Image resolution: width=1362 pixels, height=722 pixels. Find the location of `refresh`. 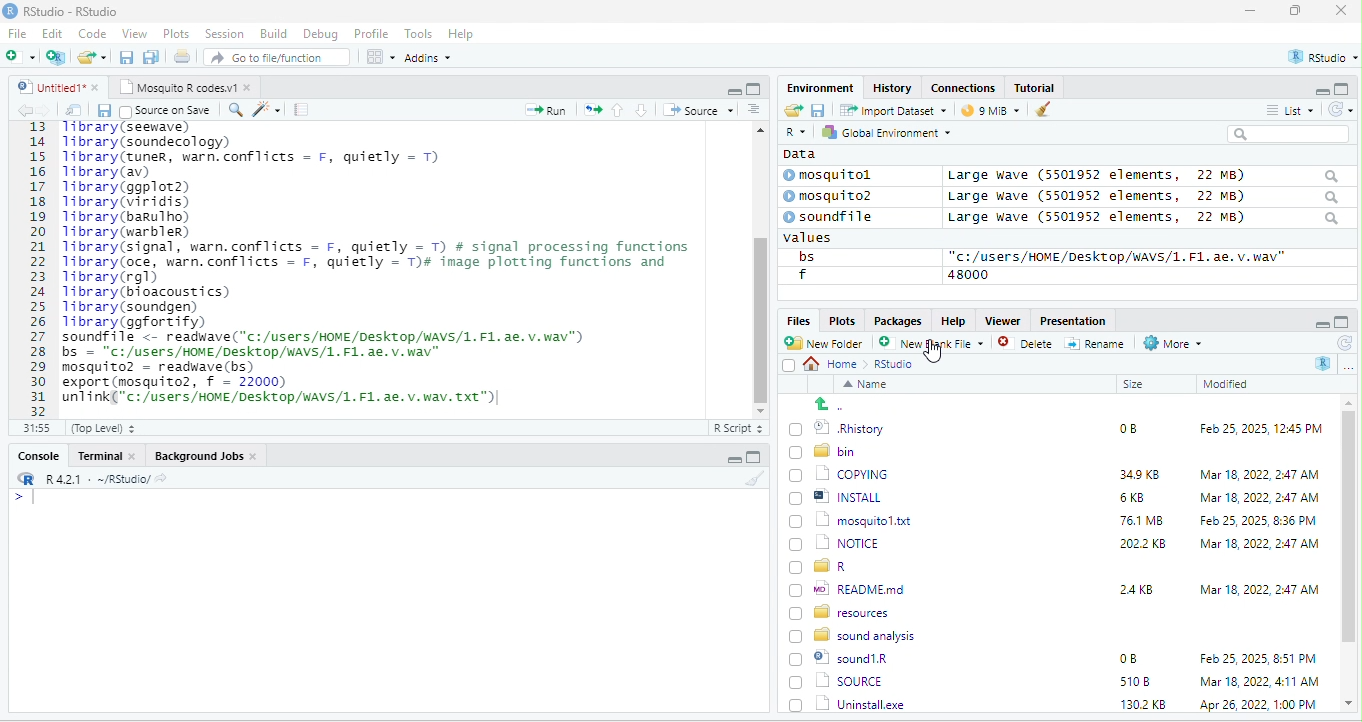

refresh is located at coordinates (1343, 343).